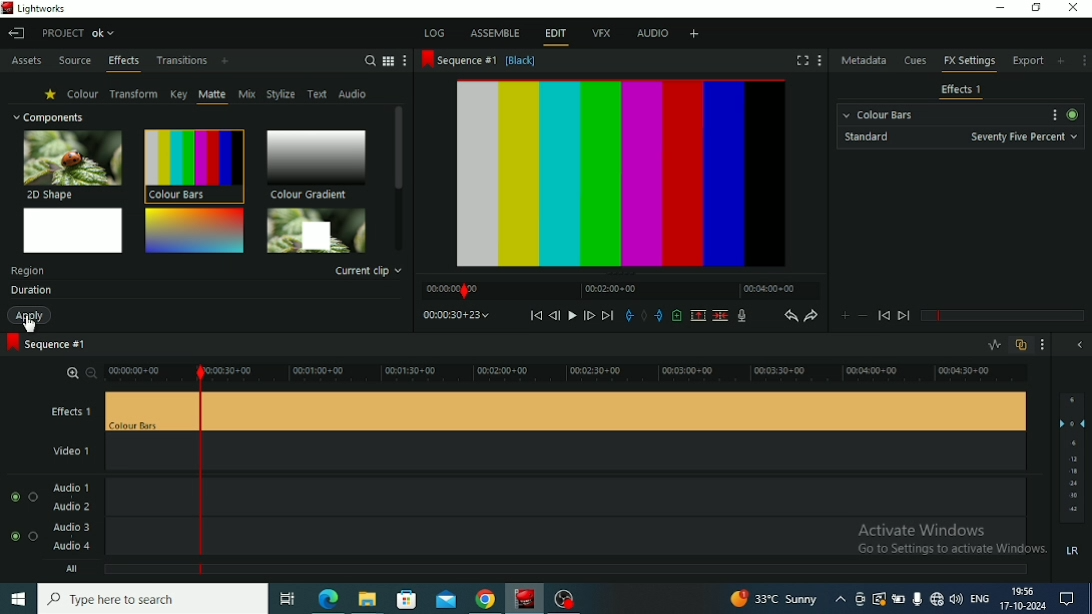 This screenshot has width=1092, height=614. What do you see at coordinates (918, 597) in the screenshot?
I see `microphone` at bounding box center [918, 597].